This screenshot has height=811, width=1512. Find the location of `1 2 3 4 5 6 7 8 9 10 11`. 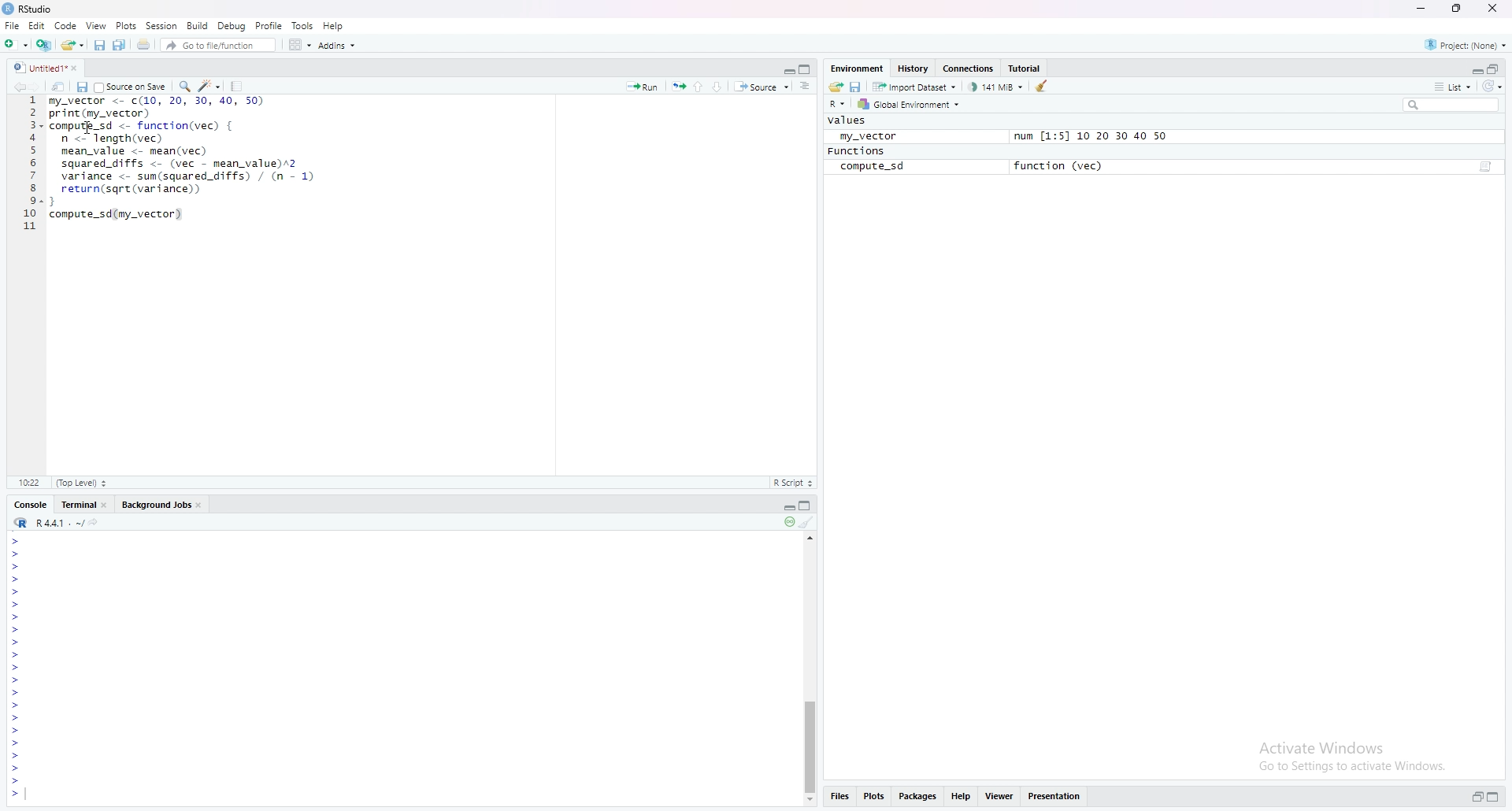

1 2 3 4 5 6 7 8 9 10 11 is located at coordinates (31, 163).